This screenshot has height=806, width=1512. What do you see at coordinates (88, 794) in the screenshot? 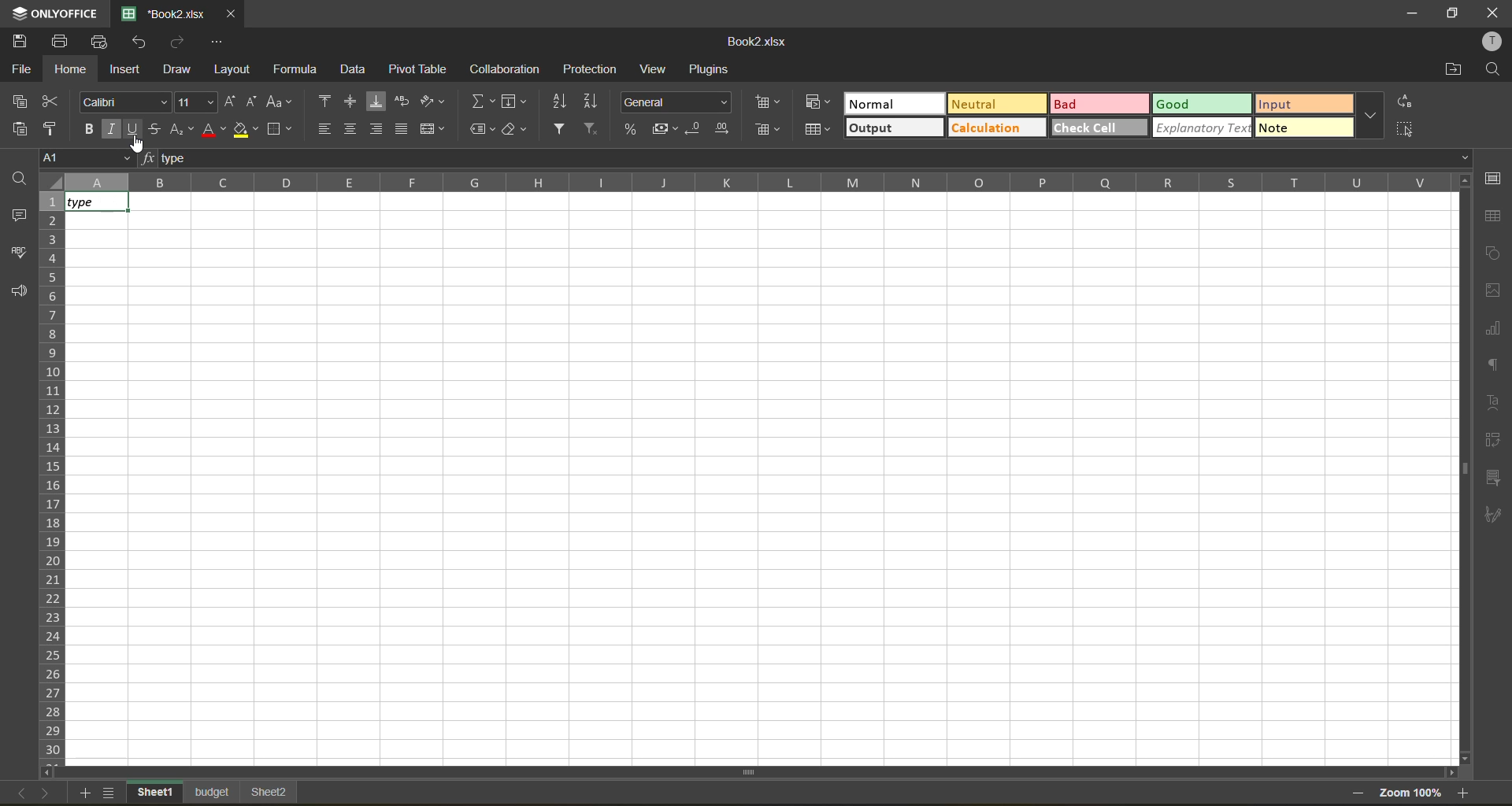
I see `add sheet` at bounding box center [88, 794].